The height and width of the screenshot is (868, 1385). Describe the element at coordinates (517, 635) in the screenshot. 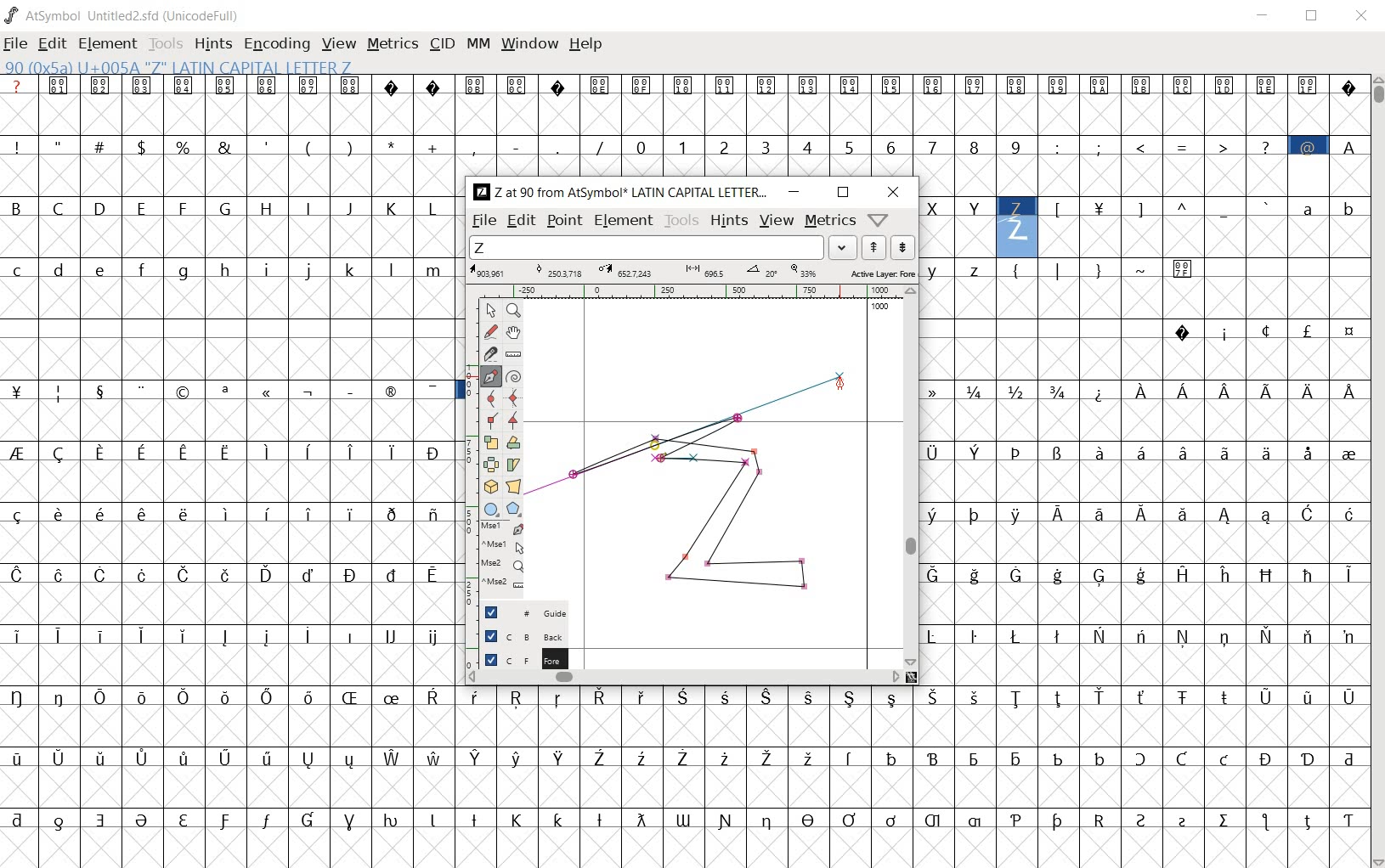

I see `Background` at that location.